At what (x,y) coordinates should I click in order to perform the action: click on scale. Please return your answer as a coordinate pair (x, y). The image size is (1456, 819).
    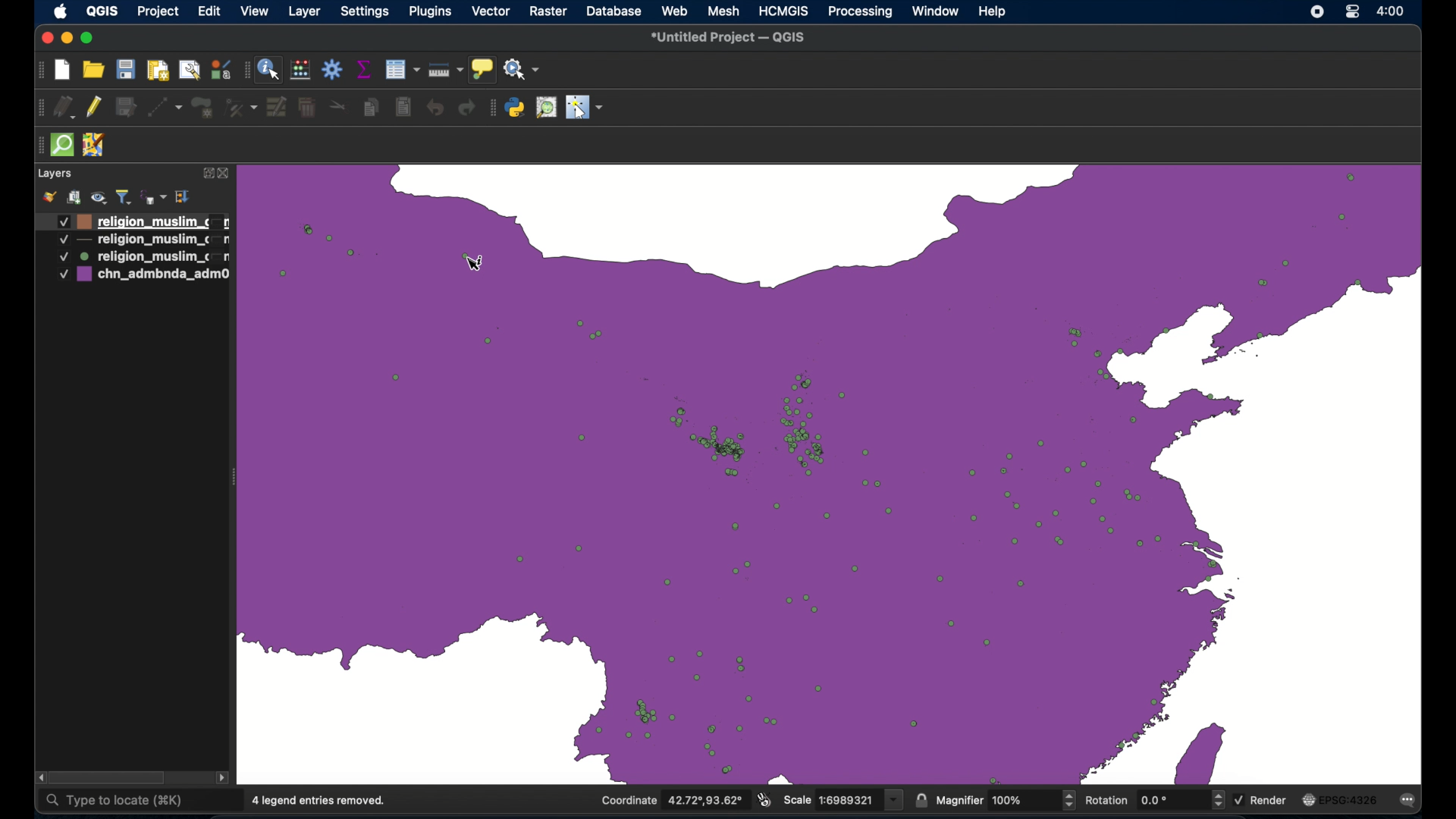
    Looking at the image, I should click on (844, 799).